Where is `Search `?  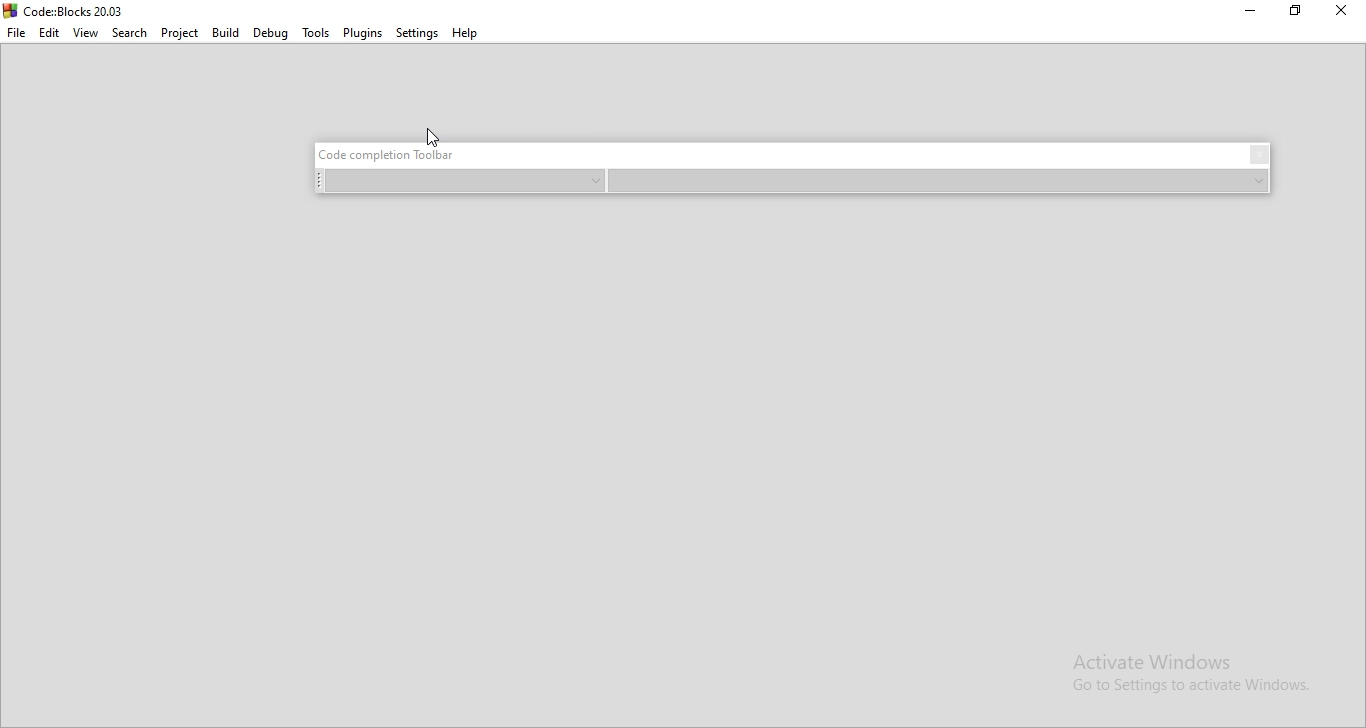 Search  is located at coordinates (130, 31).